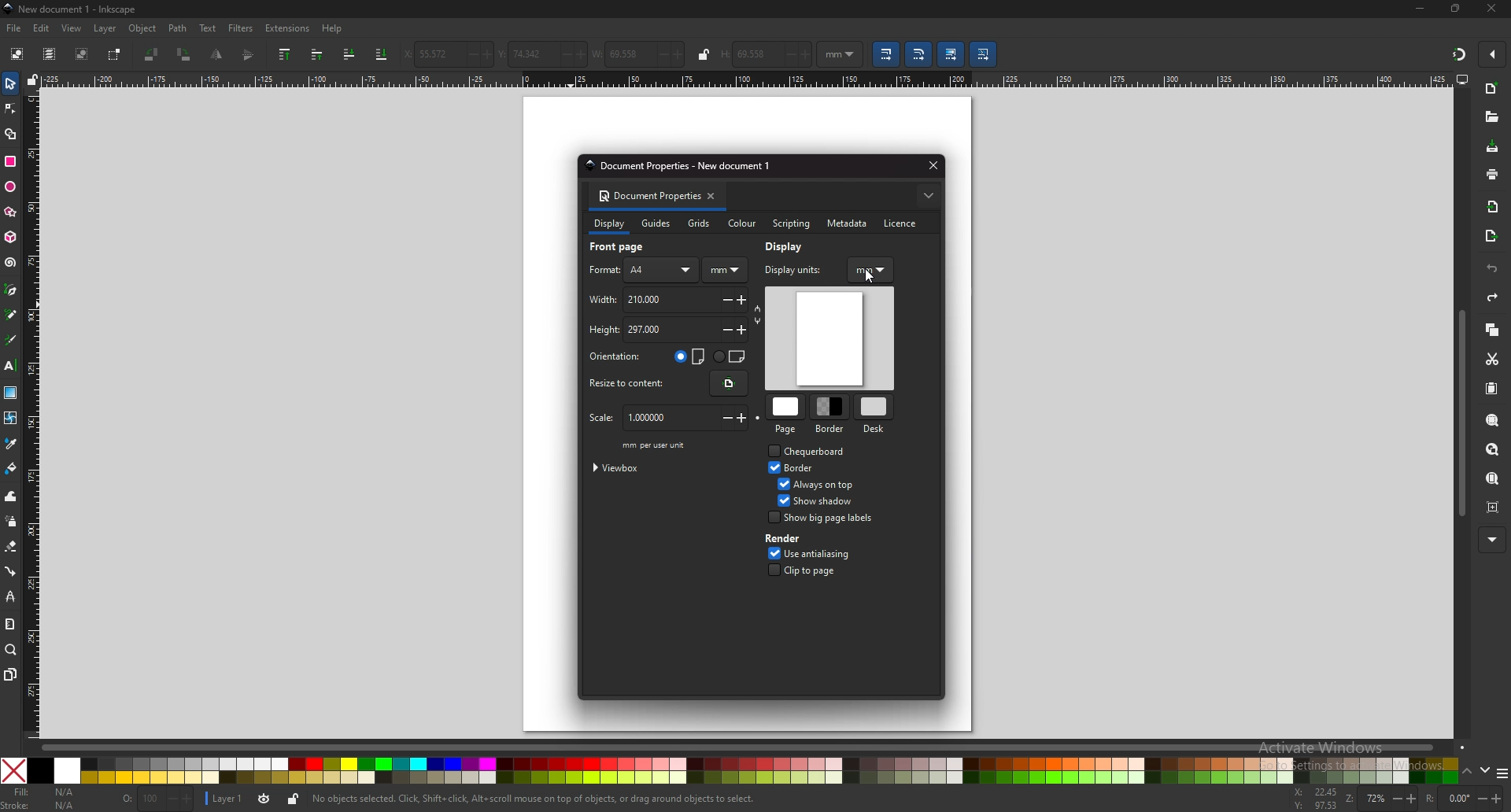  Describe the element at coordinates (10, 315) in the screenshot. I see `pencil` at that location.